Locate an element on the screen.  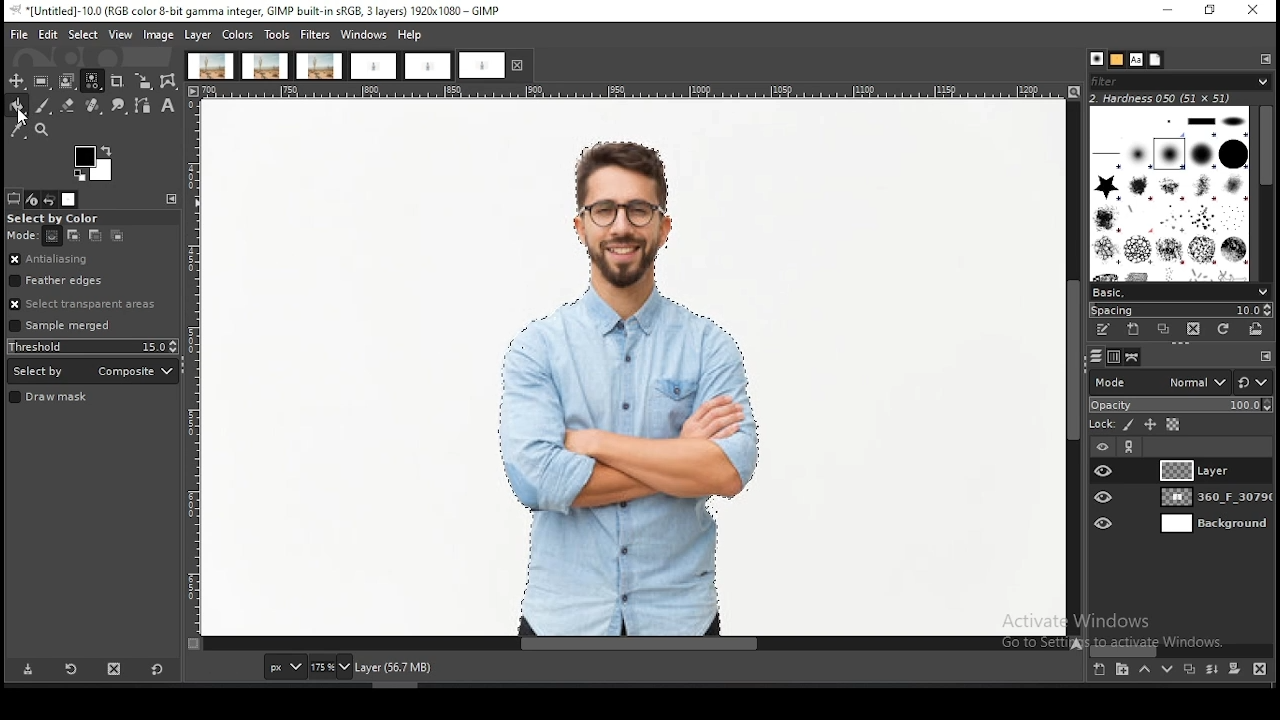
paths tool is located at coordinates (145, 107).